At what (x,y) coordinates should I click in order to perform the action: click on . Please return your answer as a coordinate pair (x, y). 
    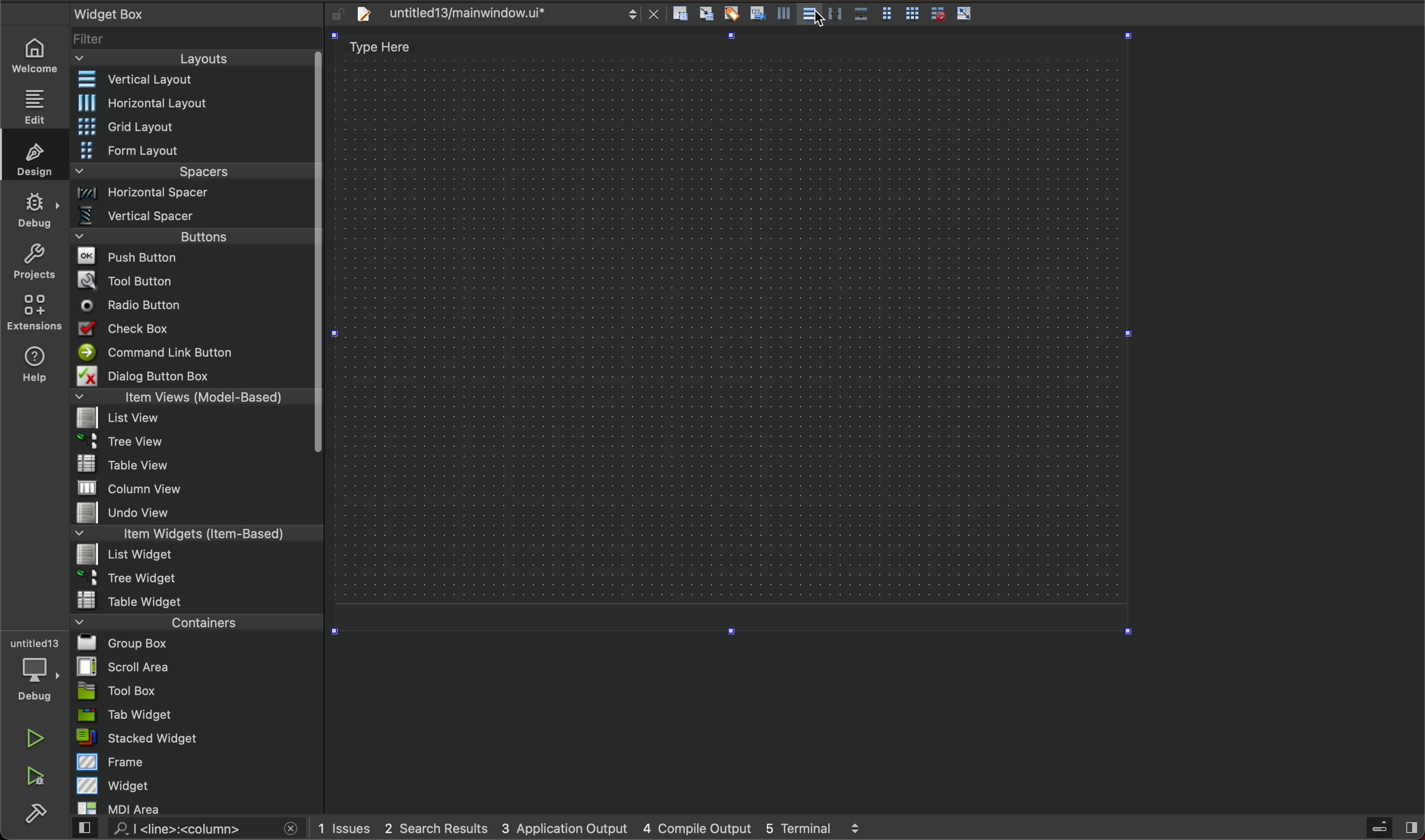
    Looking at the image, I should click on (861, 13).